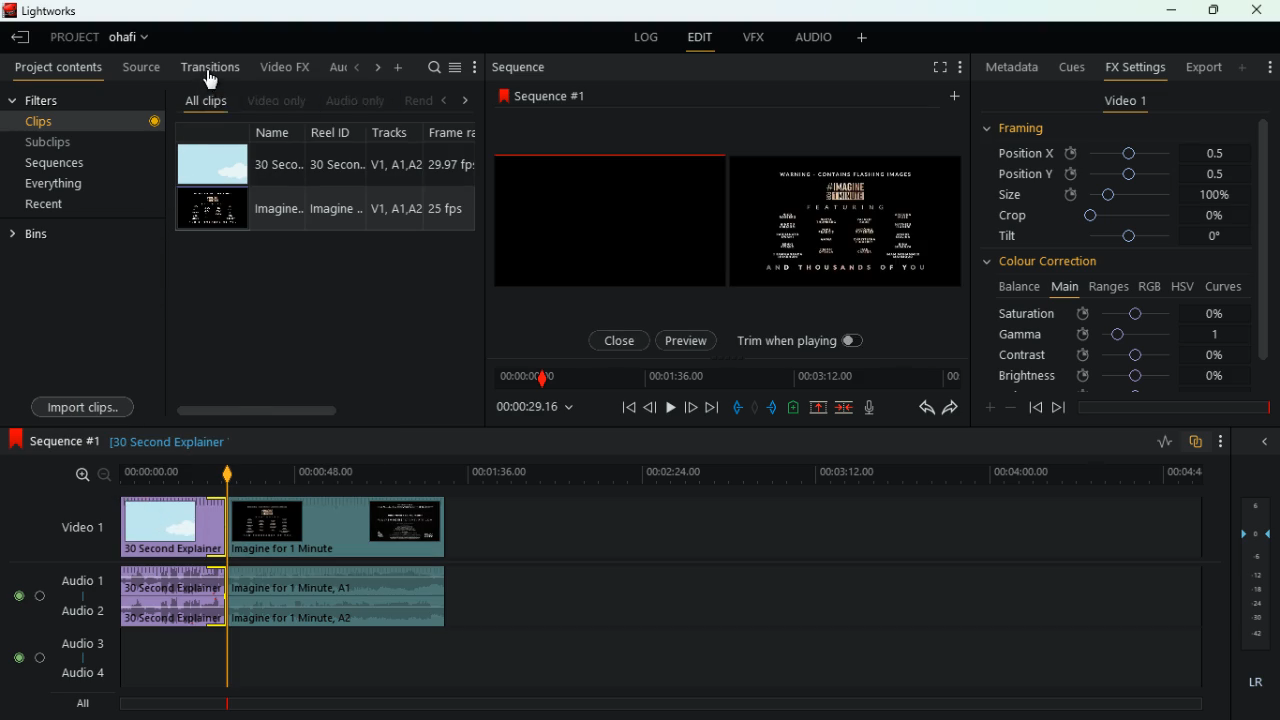  Describe the element at coordinates (400, 67) in the screenshot. I see `more` at that location.